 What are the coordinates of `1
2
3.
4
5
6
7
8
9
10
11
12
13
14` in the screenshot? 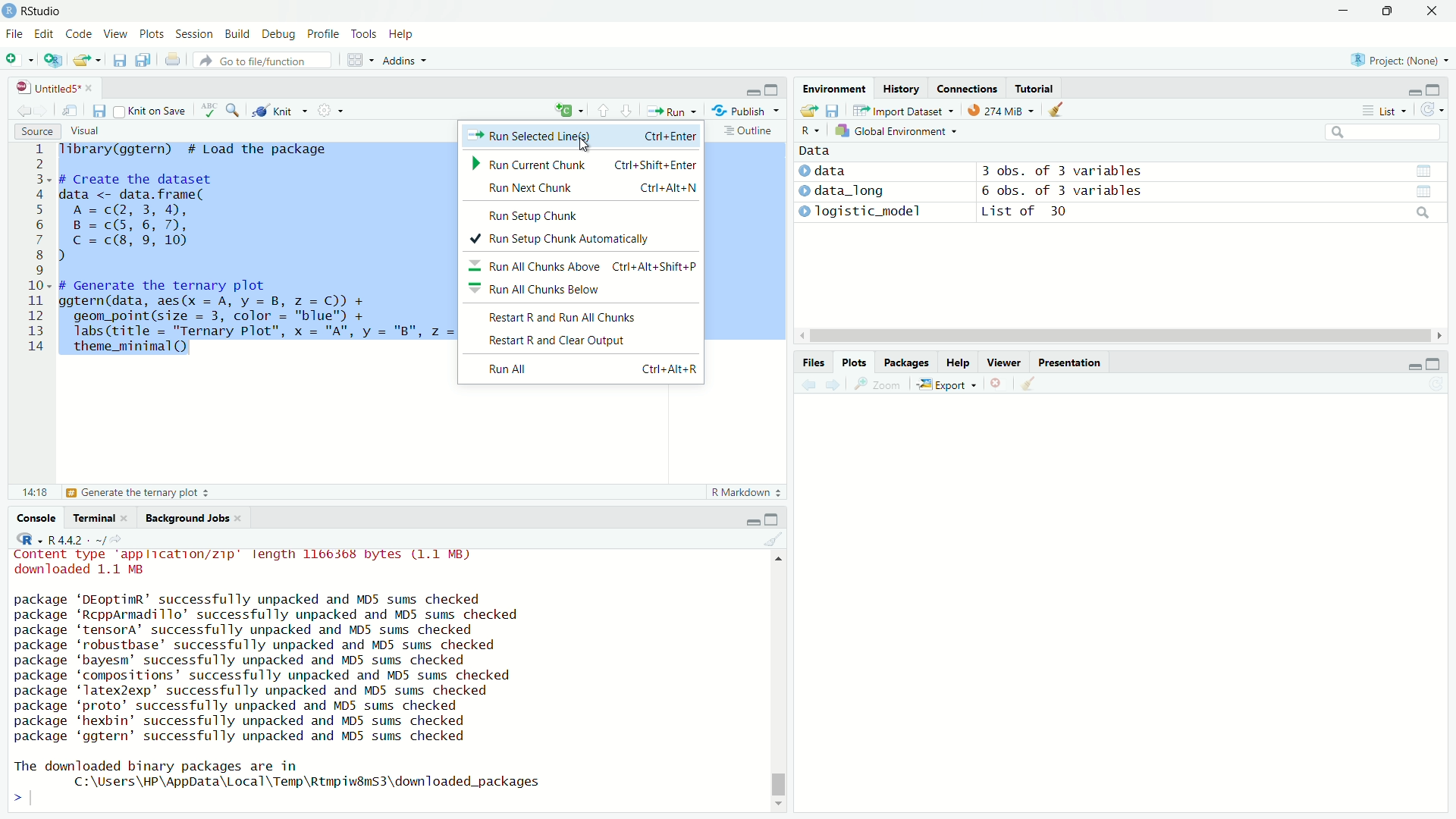 It's located at (39, 251).